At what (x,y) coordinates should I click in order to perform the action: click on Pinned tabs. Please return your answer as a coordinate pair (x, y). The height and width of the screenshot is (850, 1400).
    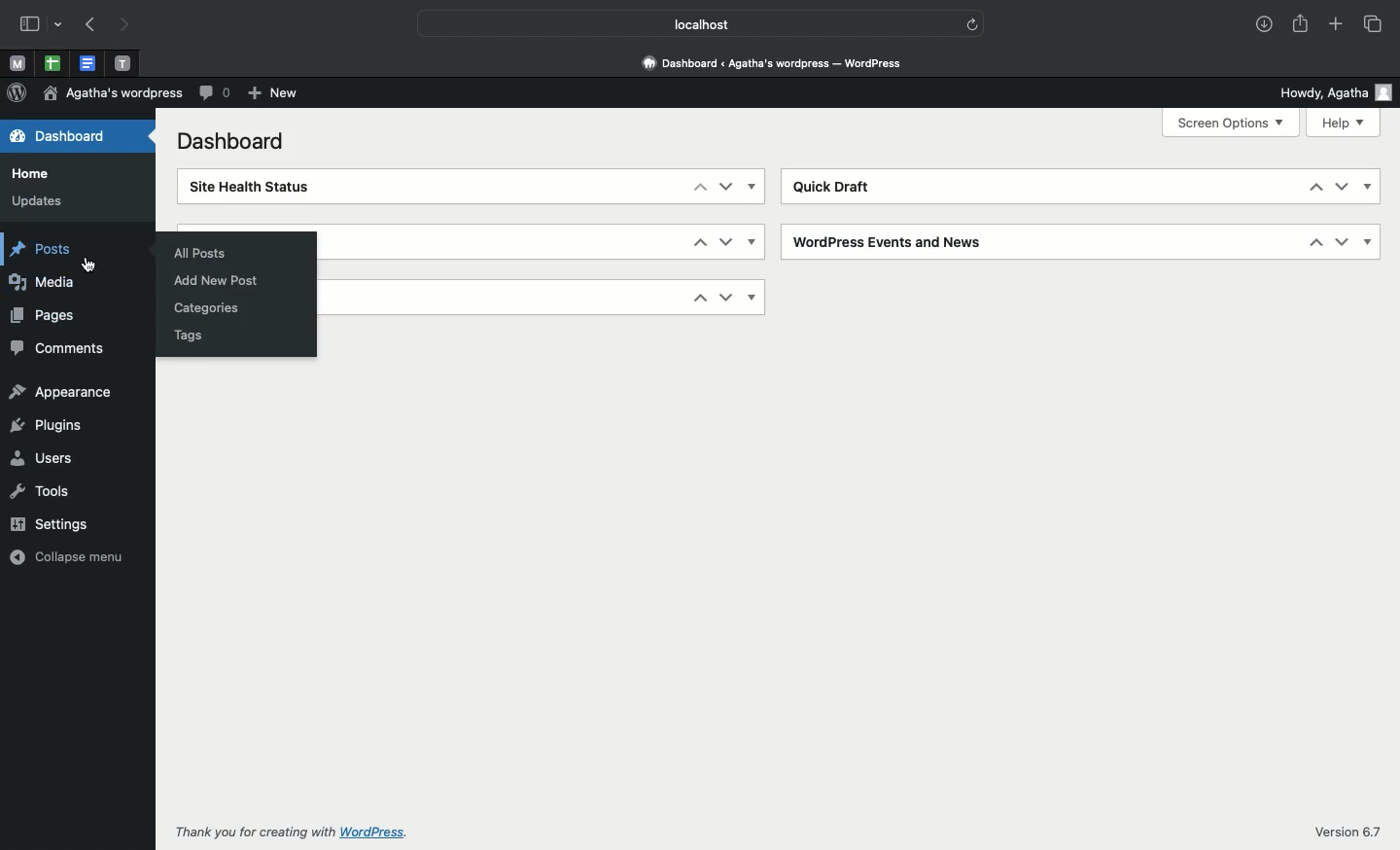
    Looking at the image, I should click on (18, 63).